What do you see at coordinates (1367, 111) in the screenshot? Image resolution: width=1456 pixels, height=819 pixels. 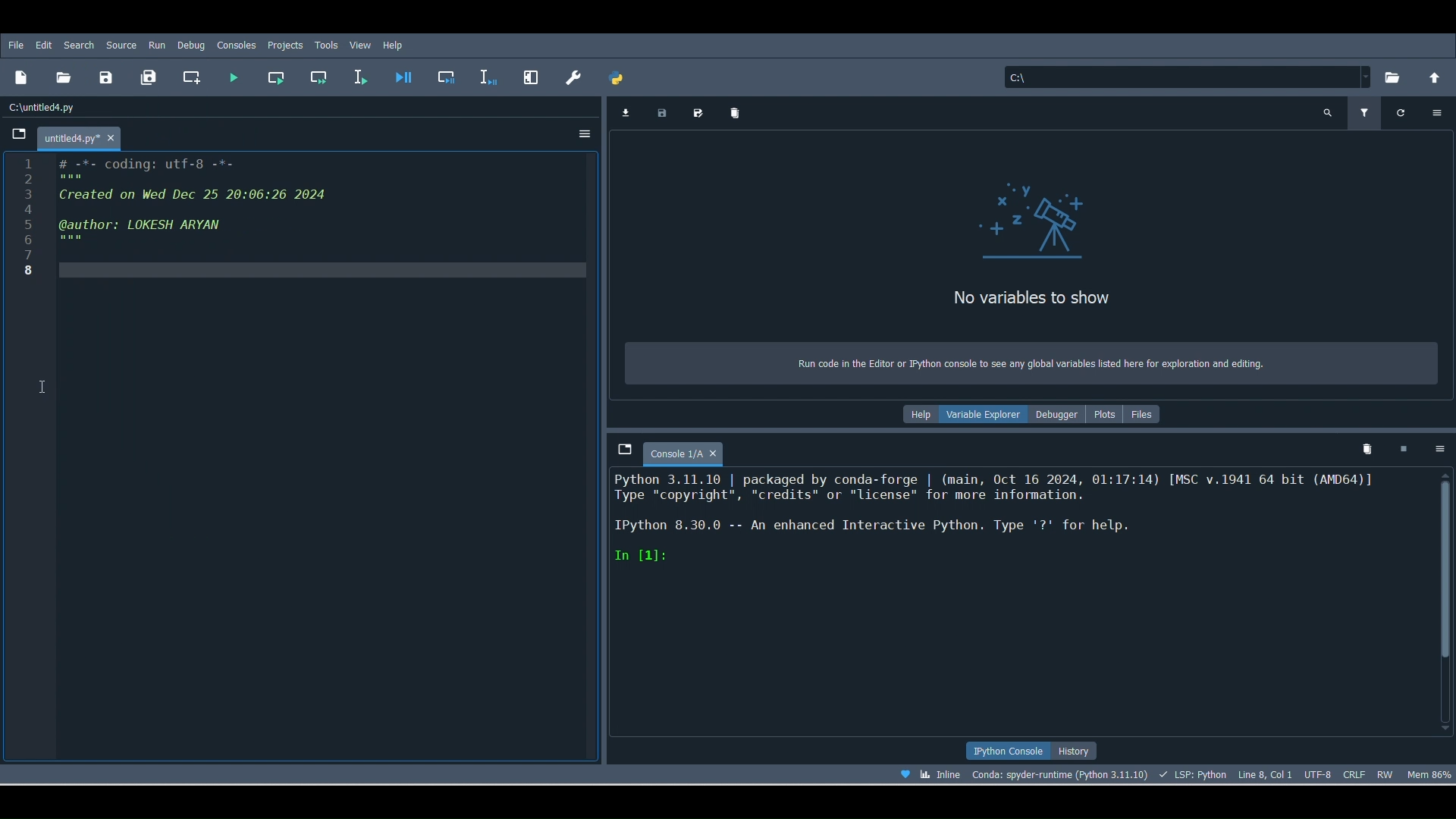 I see `Filter variables` at bounding box center [1367, 111].